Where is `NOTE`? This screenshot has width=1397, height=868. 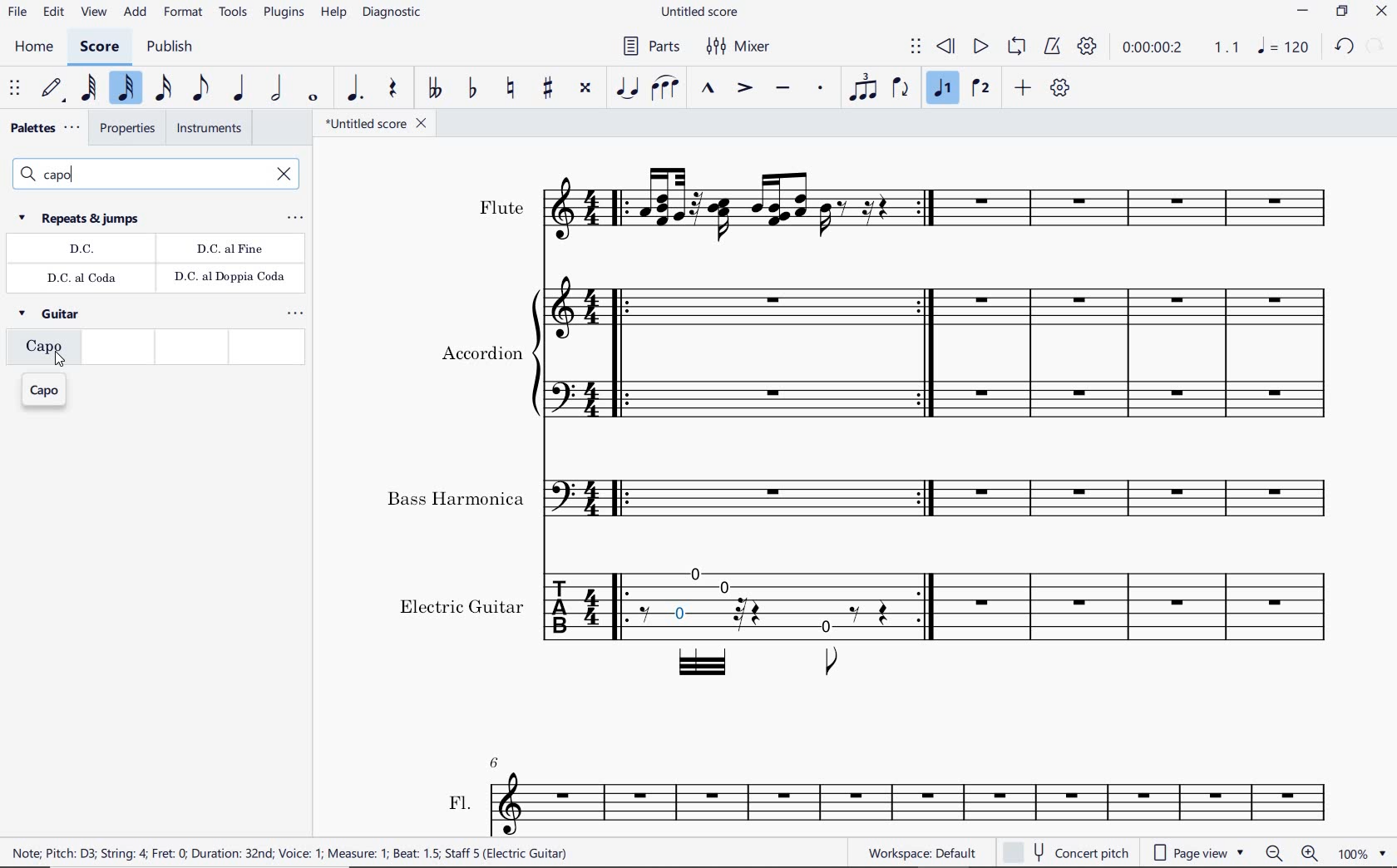
NOTE is located at coordinates (1285, 47).